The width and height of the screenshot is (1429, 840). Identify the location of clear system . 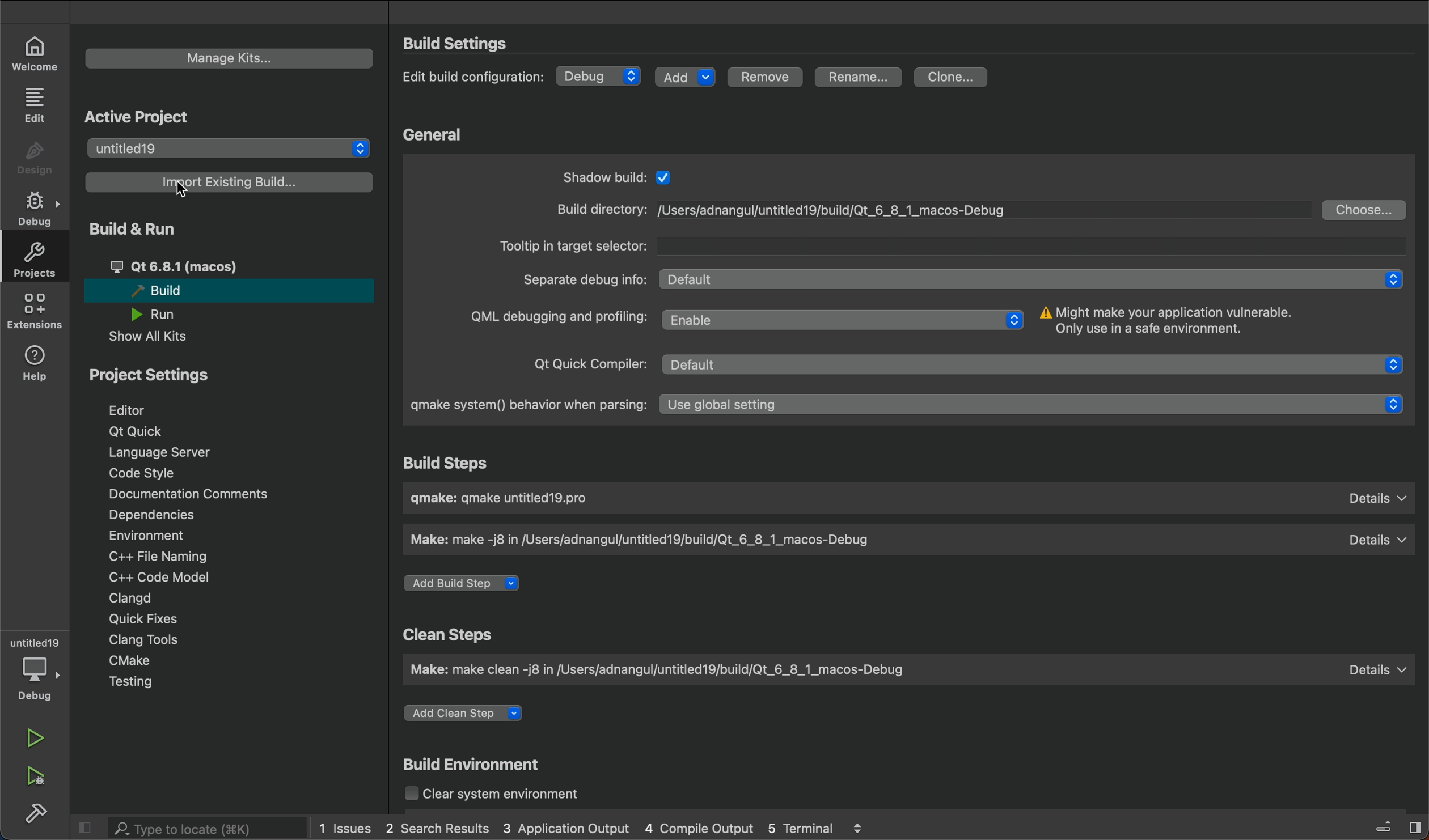
(511, 795).